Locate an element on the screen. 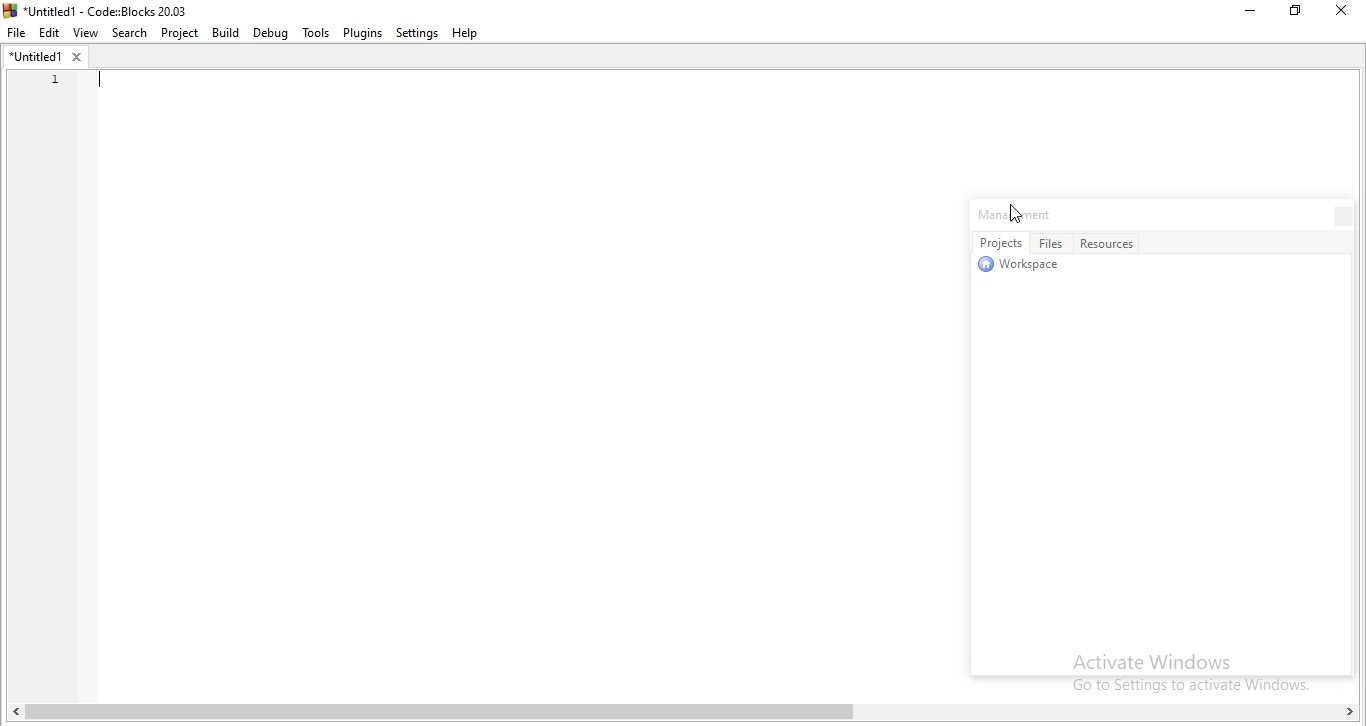 This screenshot has width=1366, height=726. Build  is located at coordinates (227, 34).